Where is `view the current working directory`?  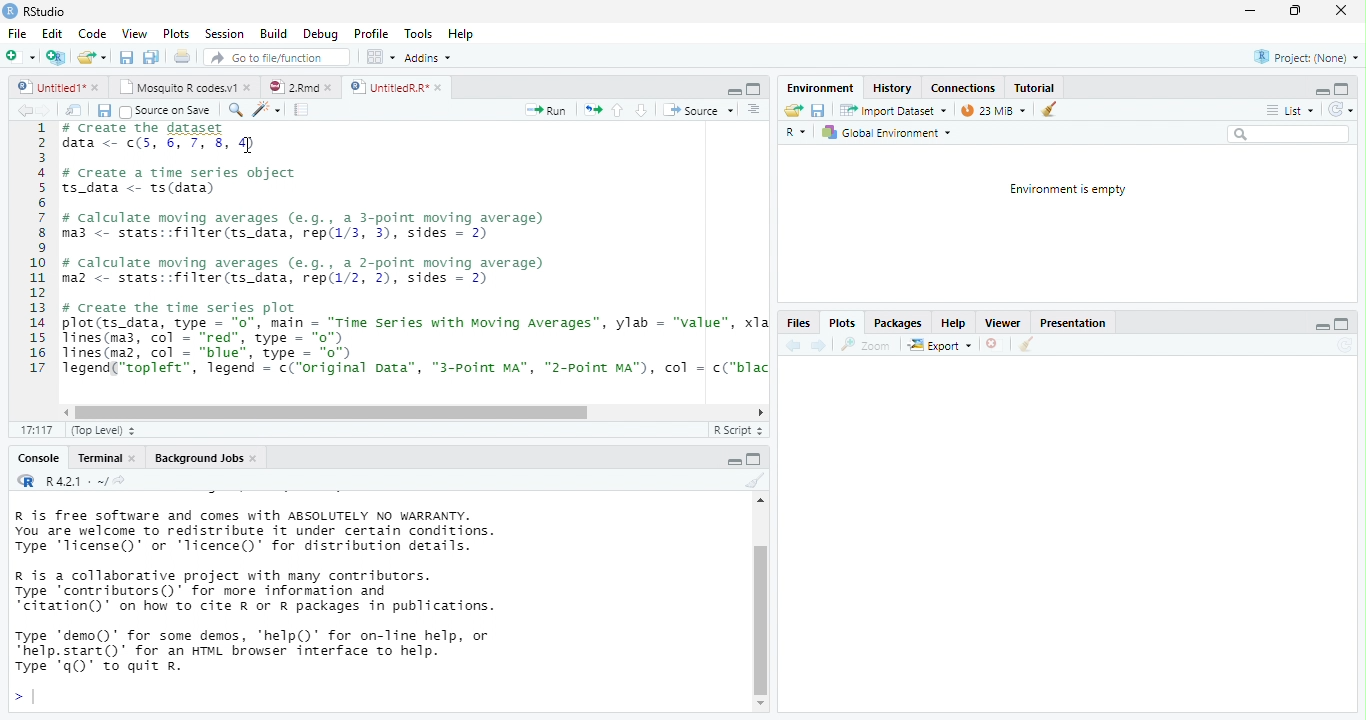 view the current working directory is located at coordinates (120, 480).